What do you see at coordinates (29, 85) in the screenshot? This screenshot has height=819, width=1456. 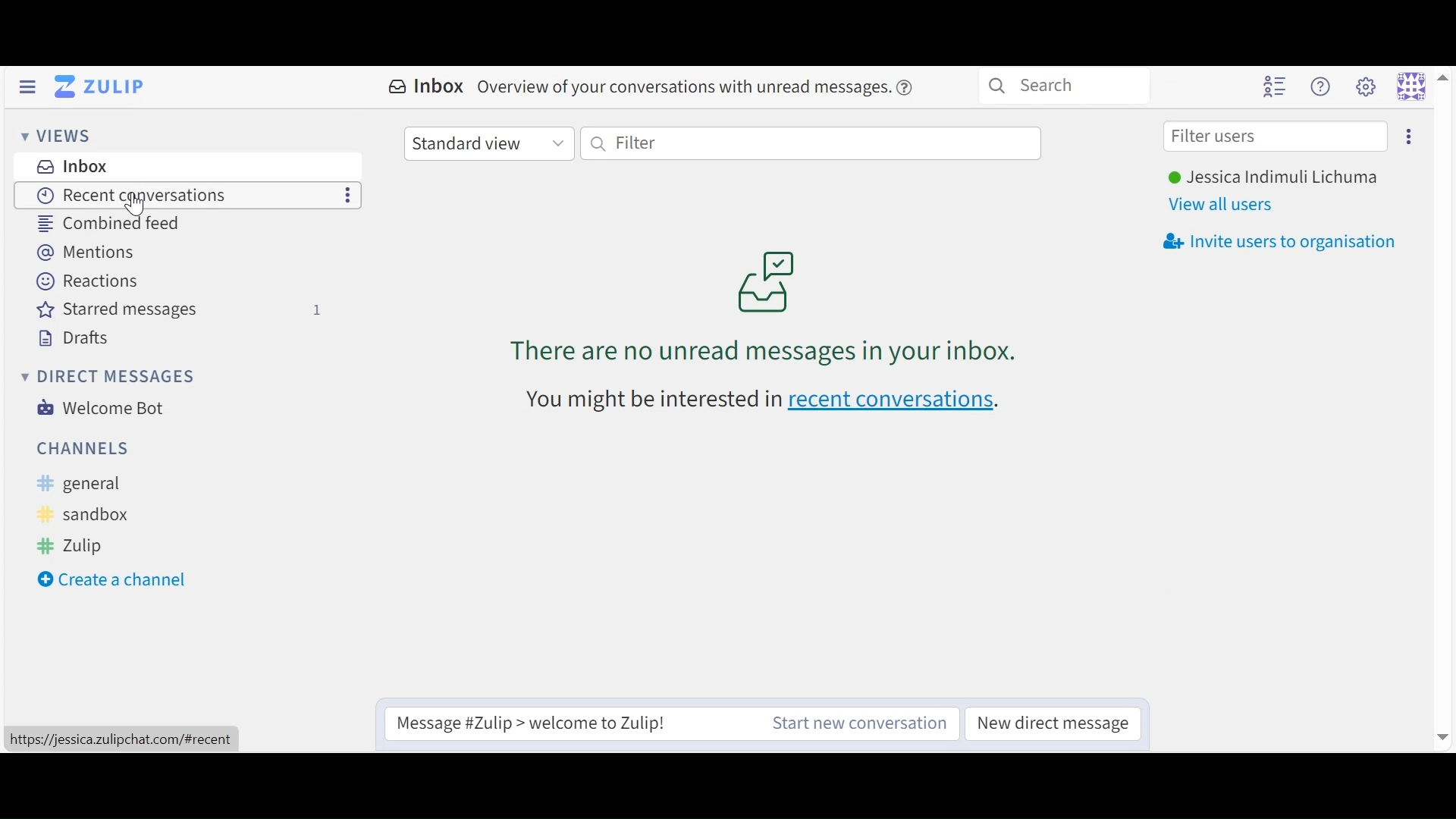 I see `Hide Sidebar` at bounding box center [29, 85].